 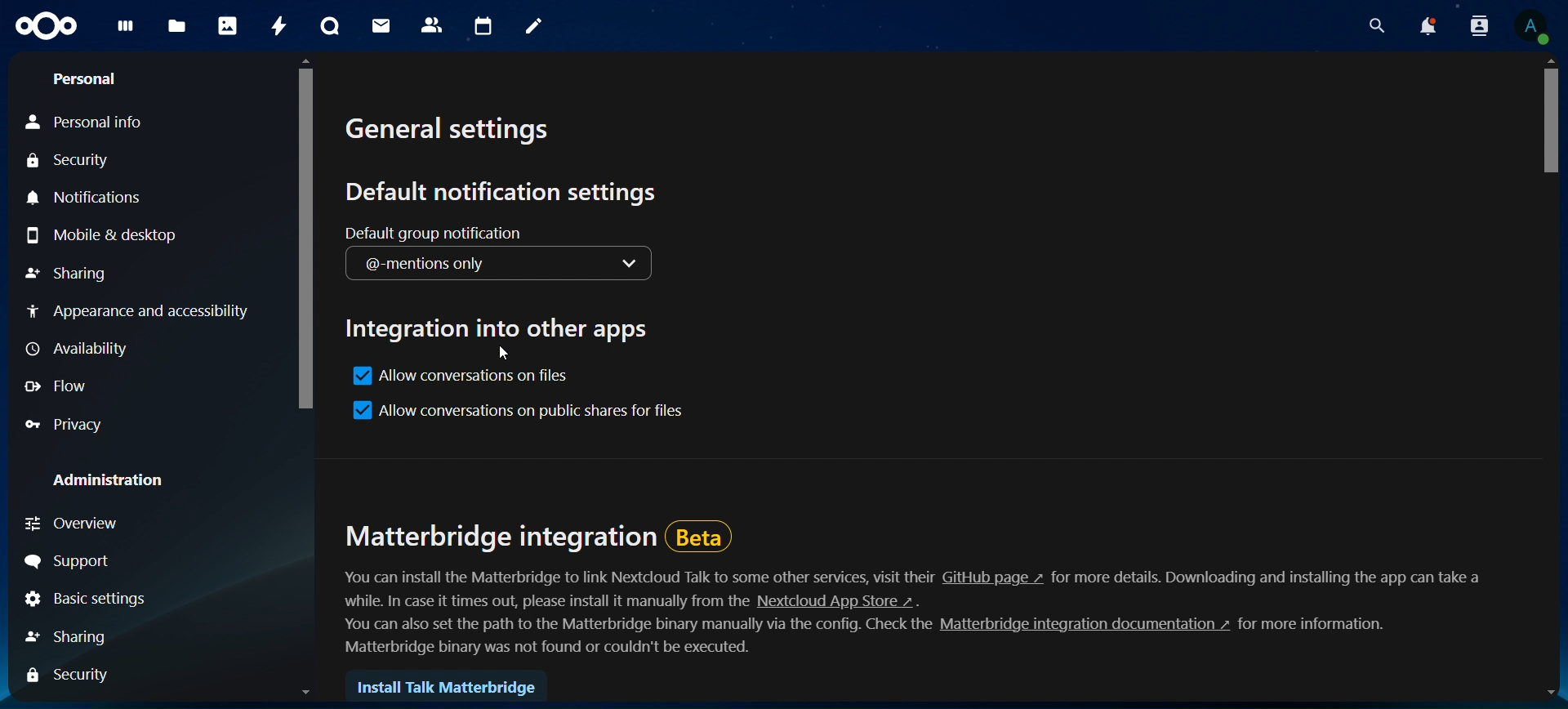 I want to click on availability, so click(x=77, y=350).